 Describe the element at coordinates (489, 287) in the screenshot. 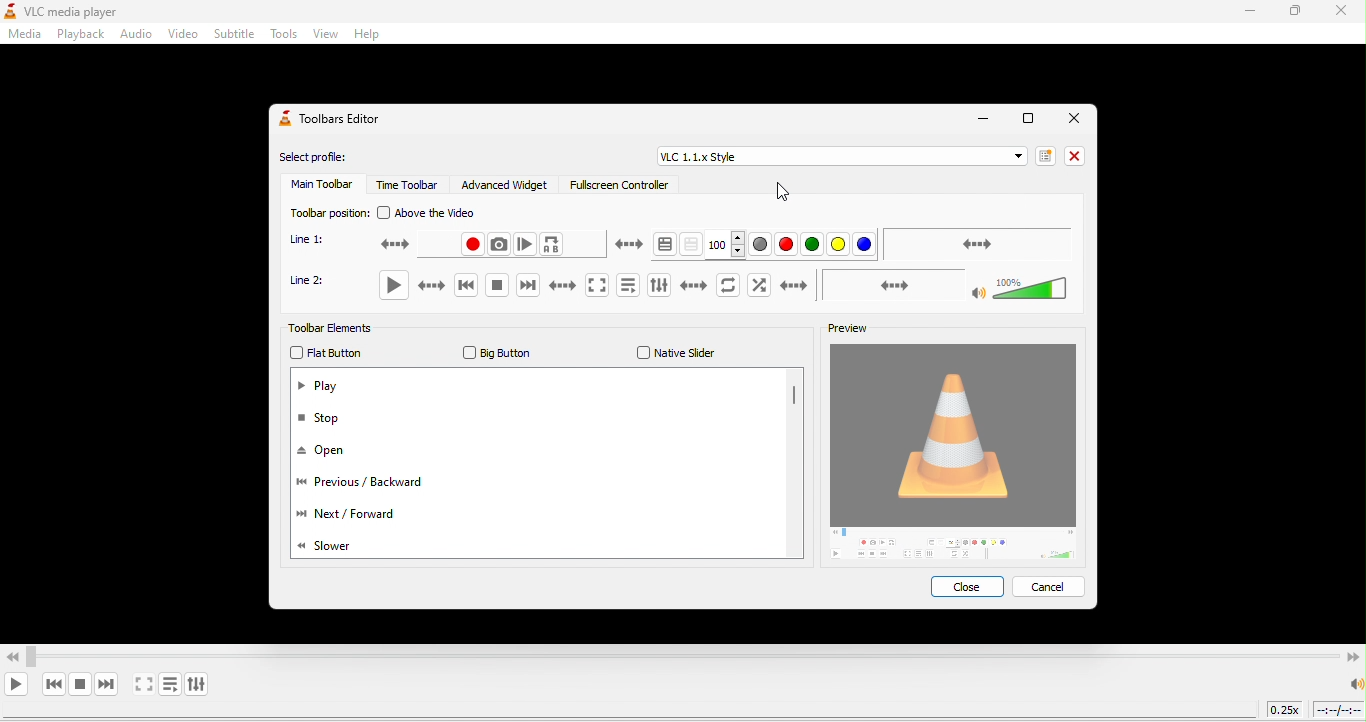

I see `stop to playback` at that location.